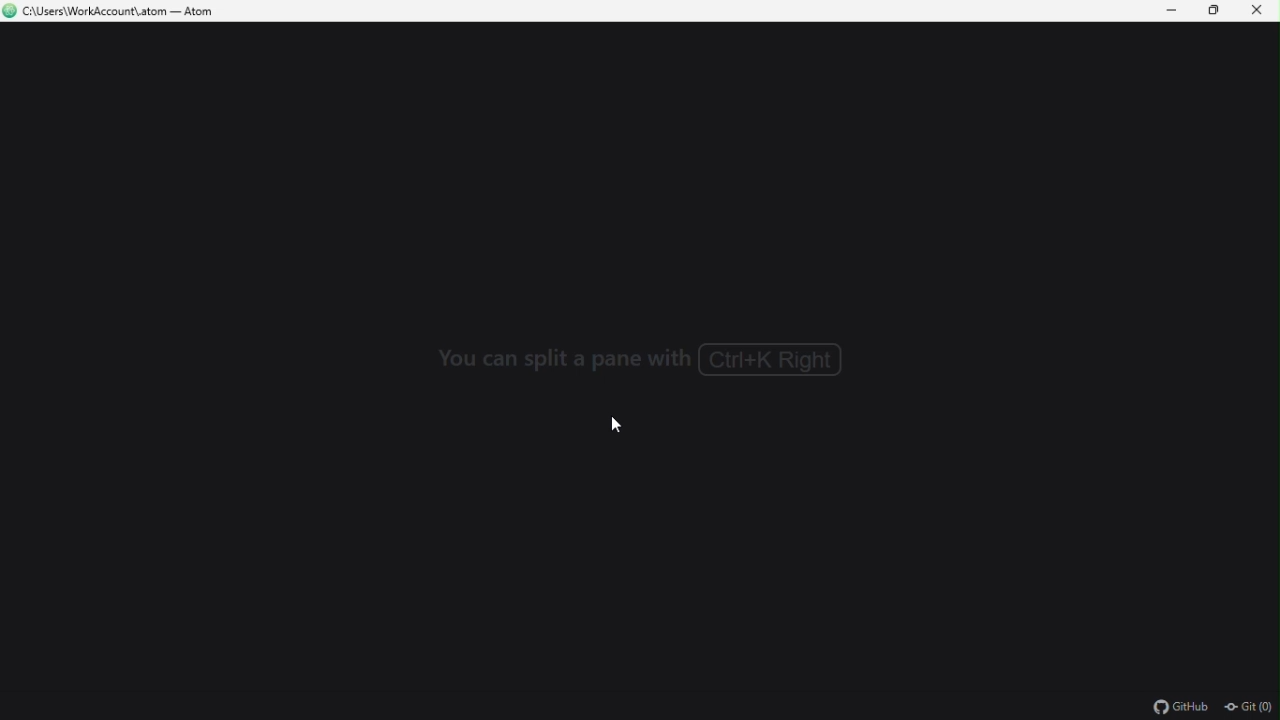 This screenshot has width=1280, height=720. Describe the element at coordinates (616, 428) in the screenshot. I see `cursor` at that location.